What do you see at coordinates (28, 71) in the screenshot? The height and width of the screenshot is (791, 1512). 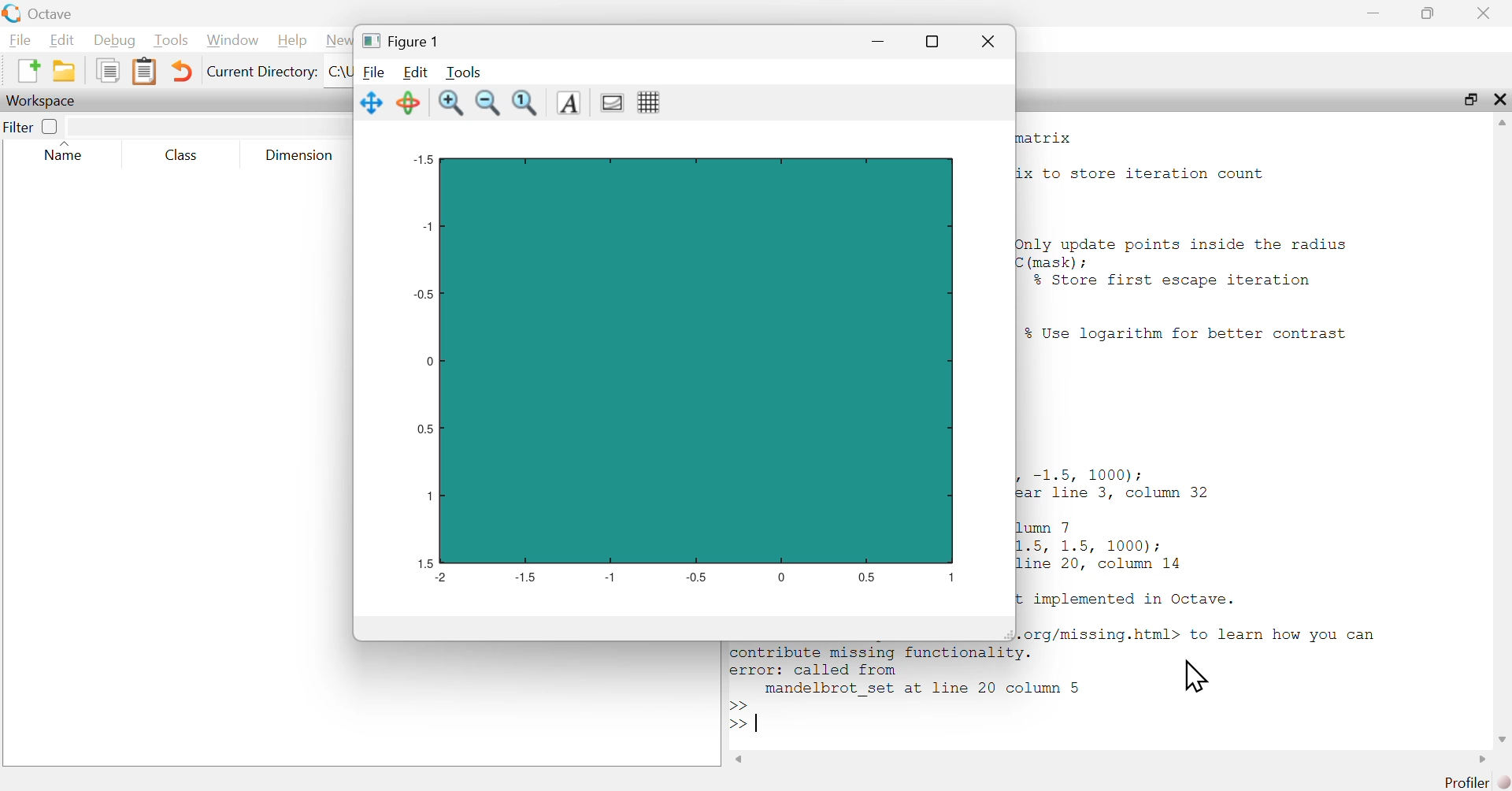 I see `New script` at bounding box center [28, 71].